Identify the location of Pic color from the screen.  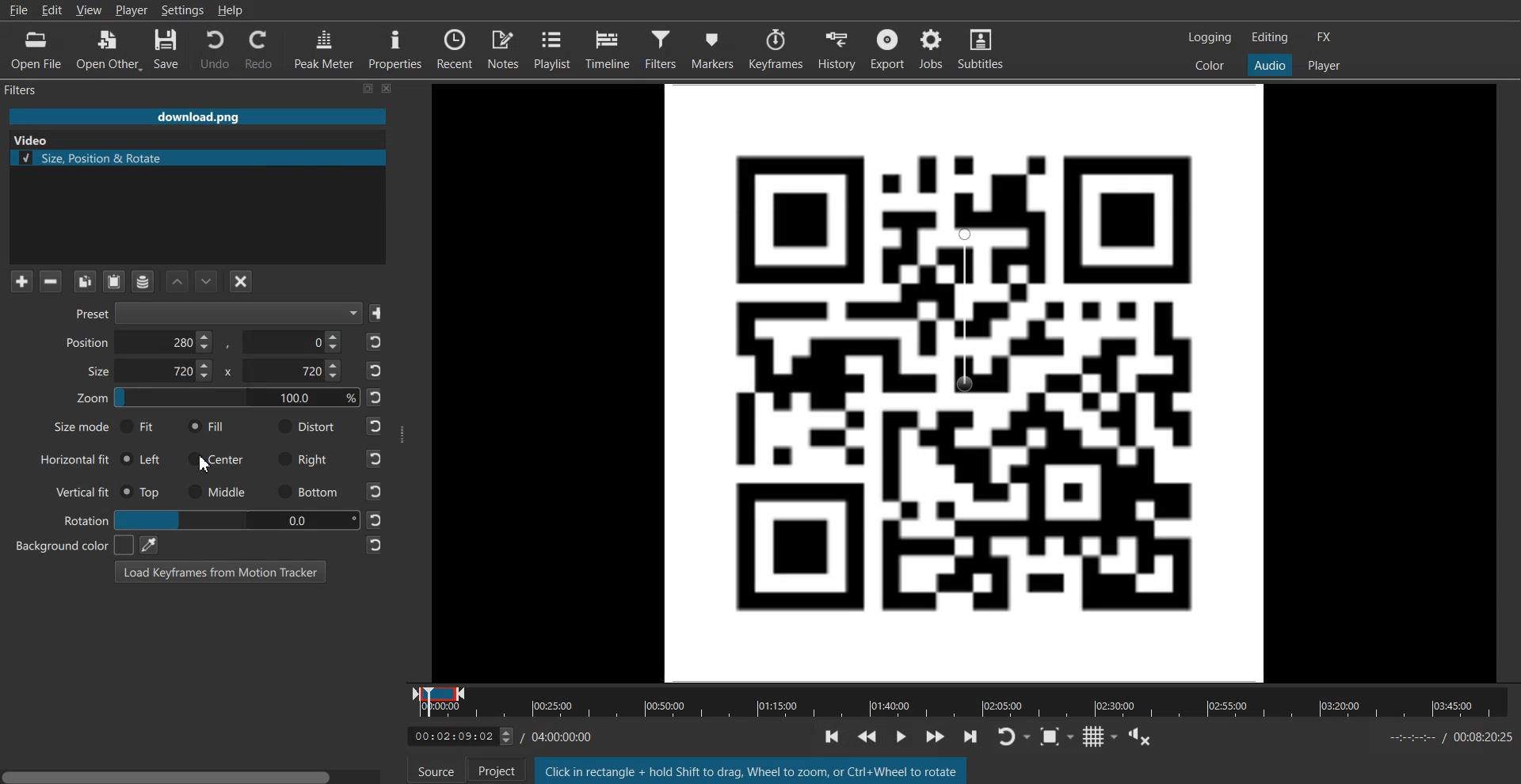
(148, 544).